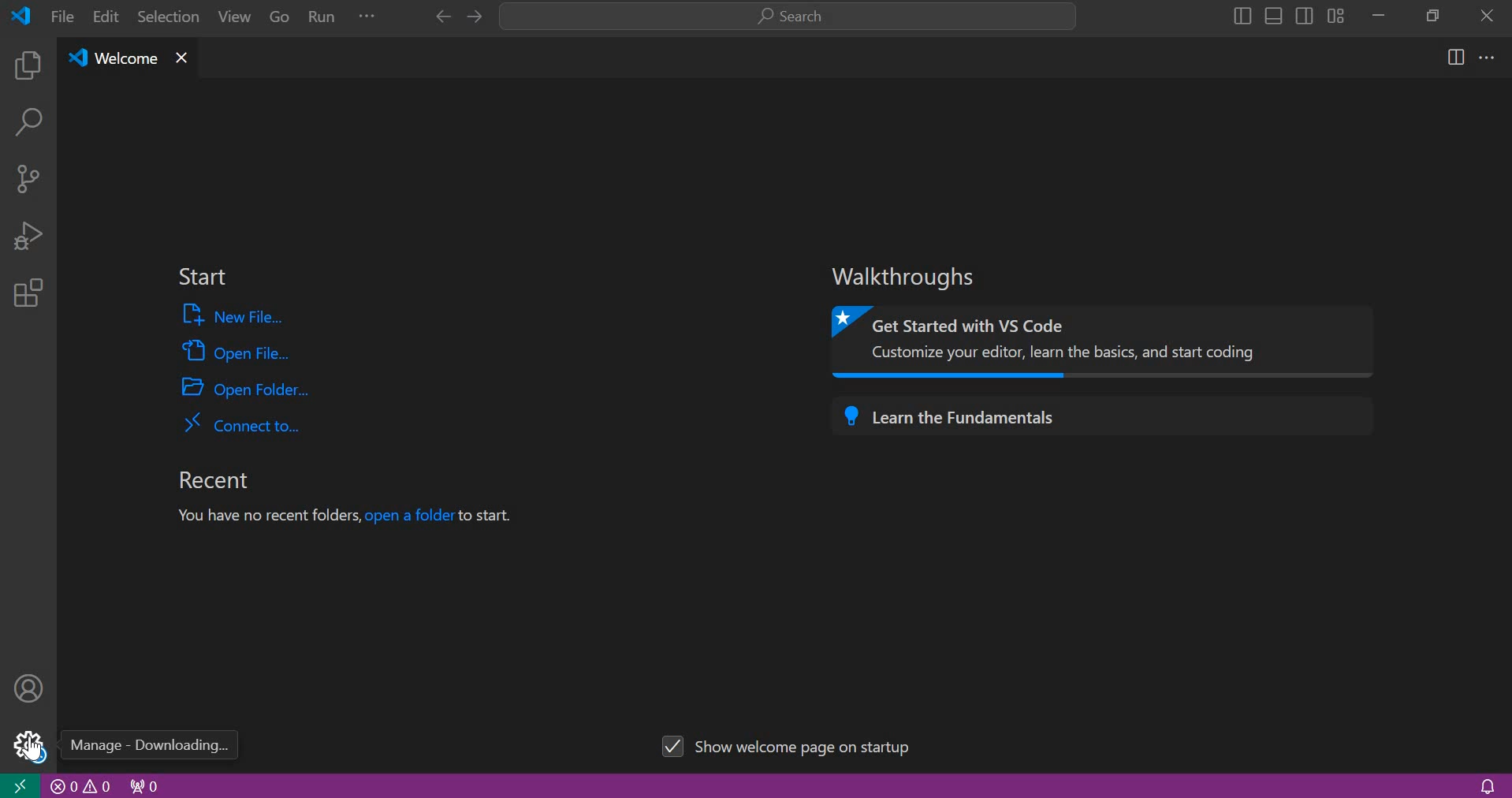 The width and height of the screenshot is (1512, 798). I want to click on expand, so click(367, 19).